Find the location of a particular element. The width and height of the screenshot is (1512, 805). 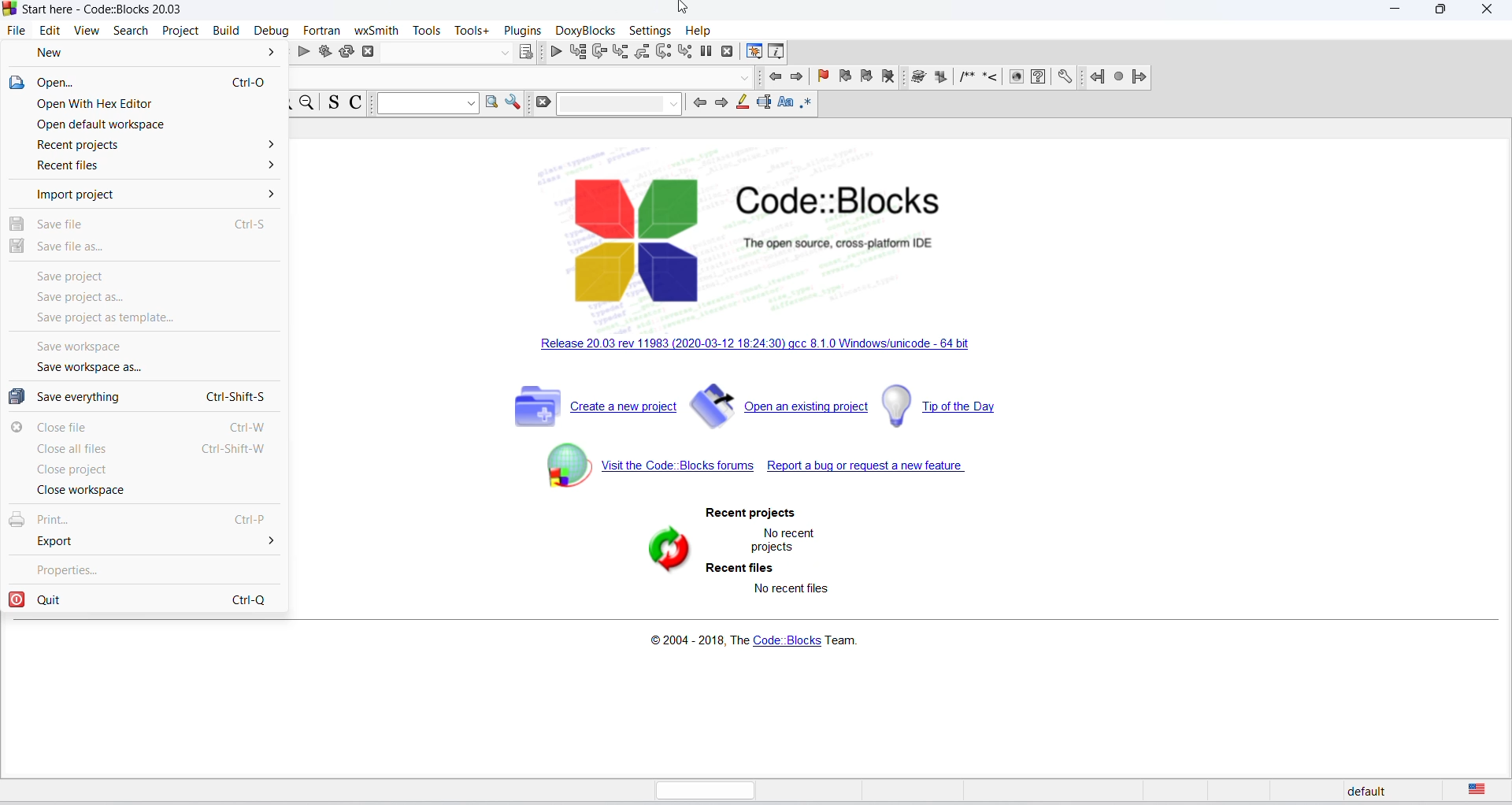

copyright info is located at coordinates (749, 639).